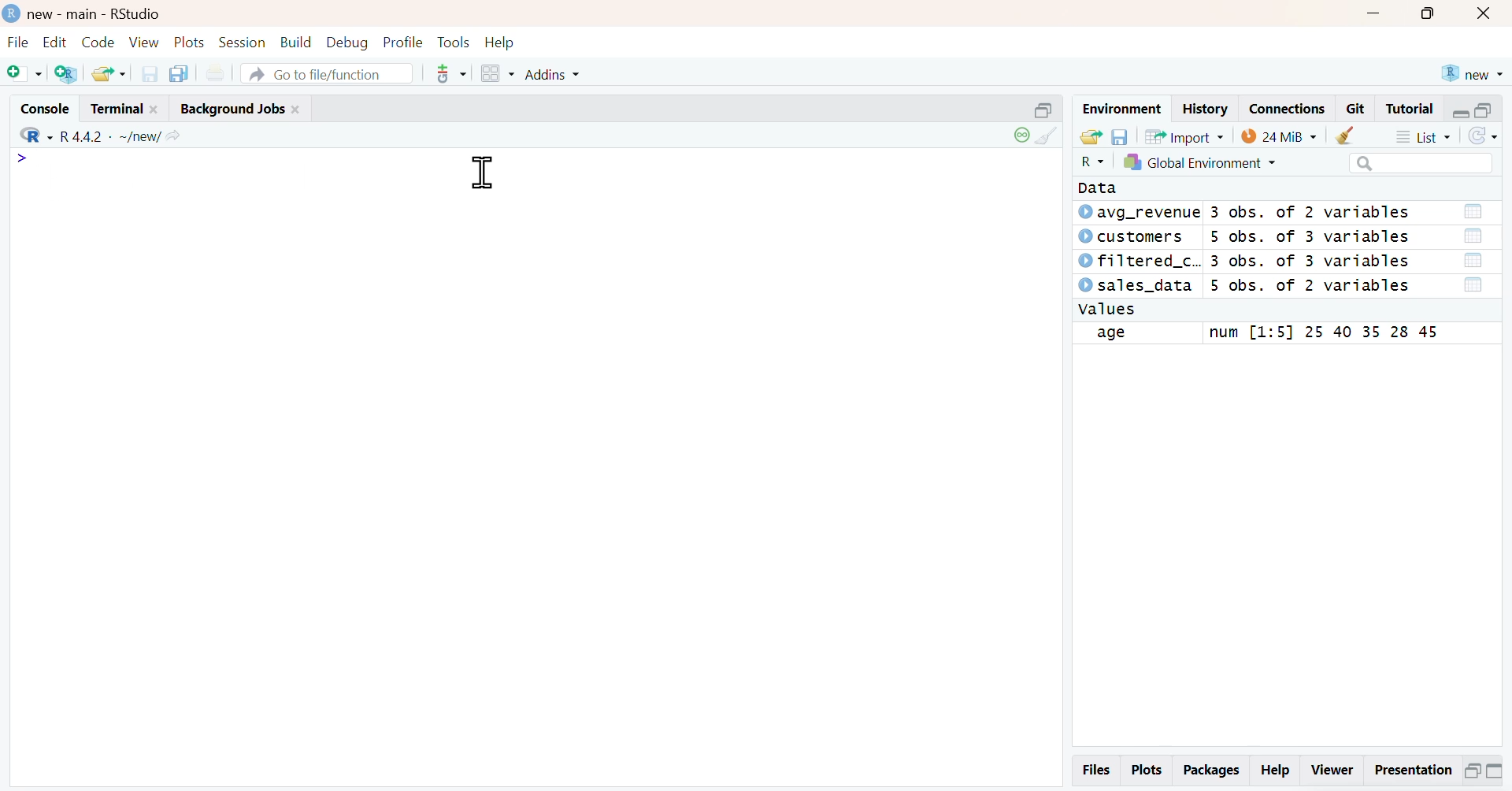 The width and height of the screenshot is (1512, 791). I want to click on New File, so click(24, 73).